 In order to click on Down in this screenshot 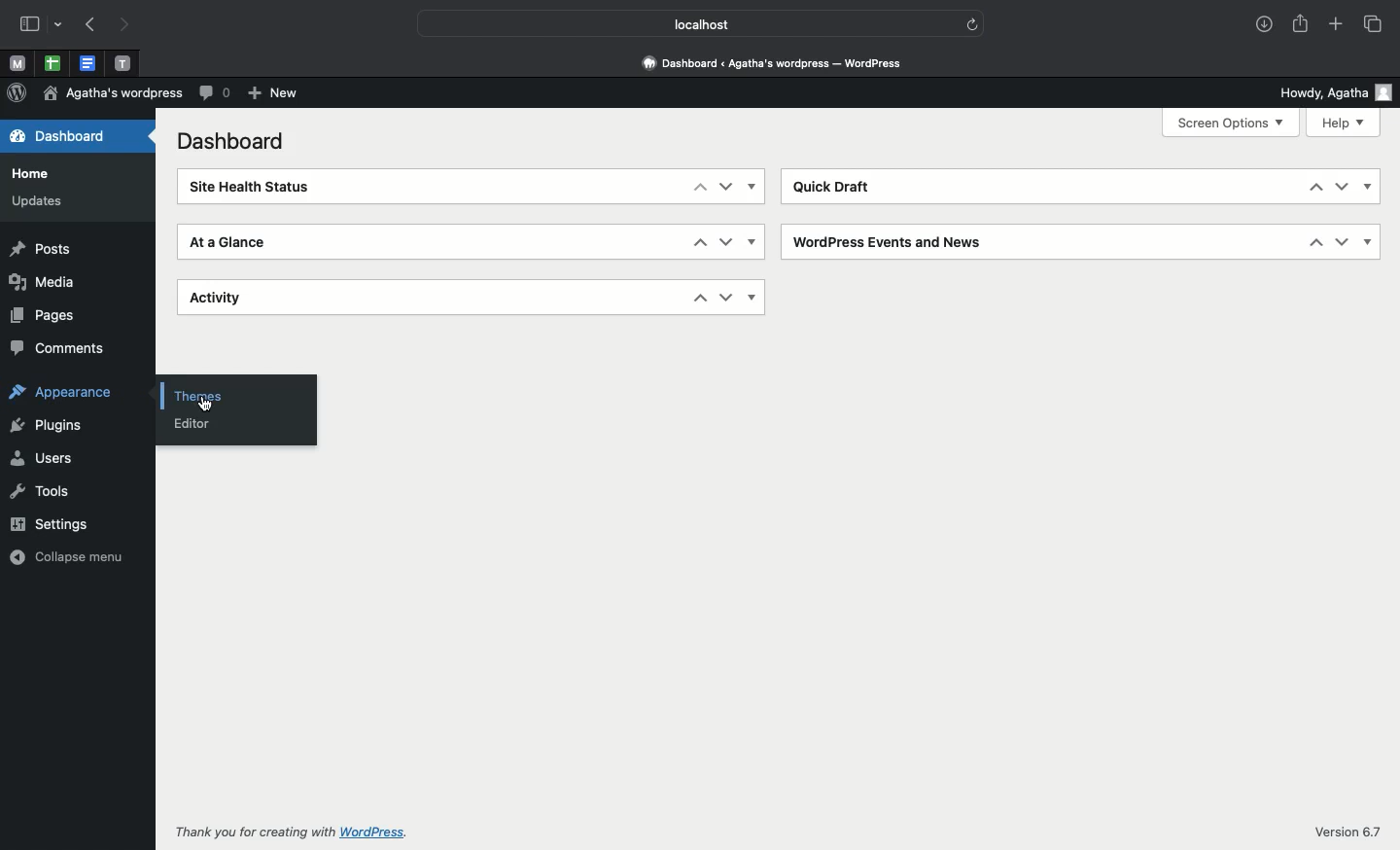, I will do `click(1344, 241)`.